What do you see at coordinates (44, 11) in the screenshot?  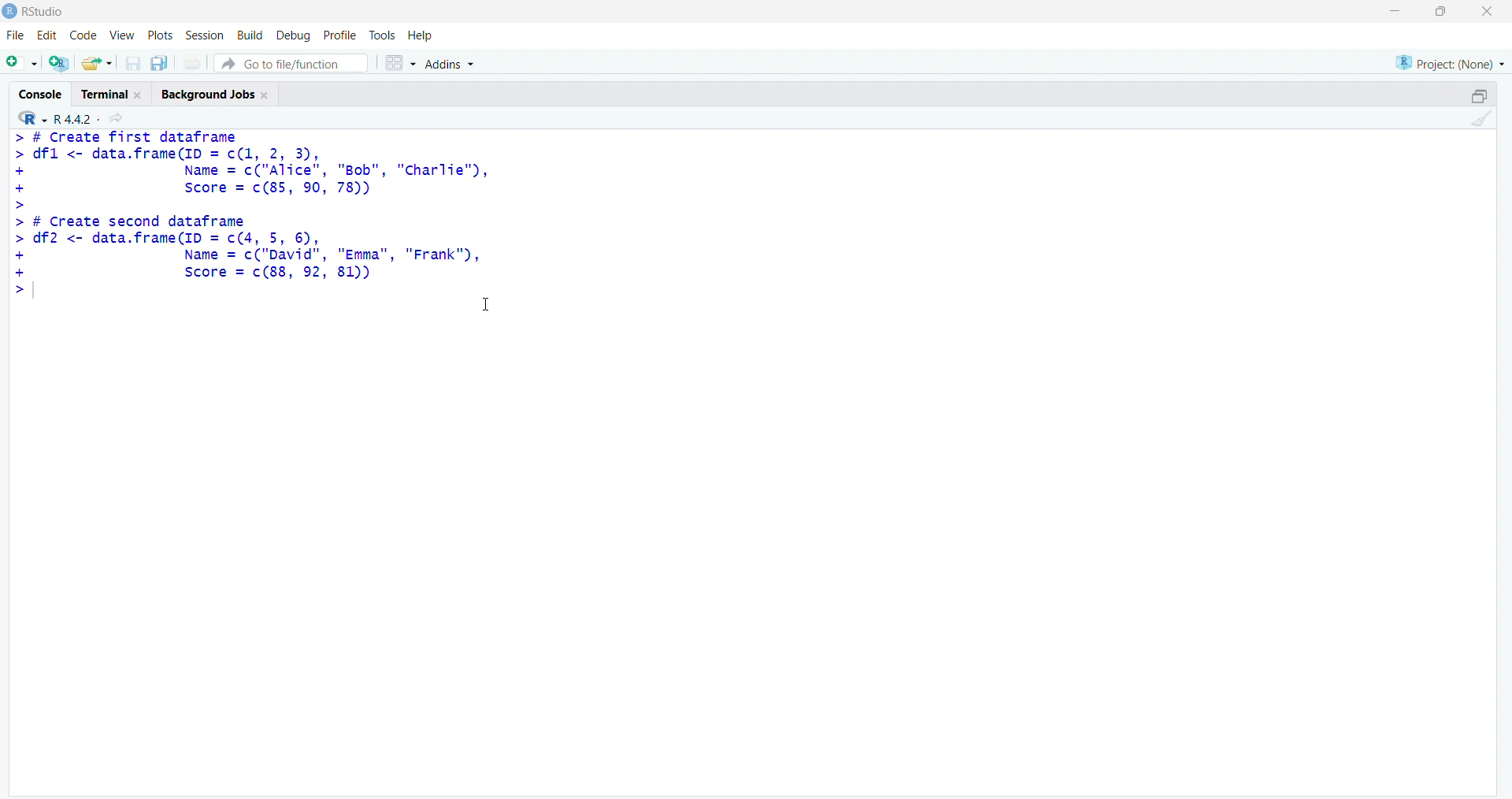 I see `Rstudio` at bounding box center [44, 11].